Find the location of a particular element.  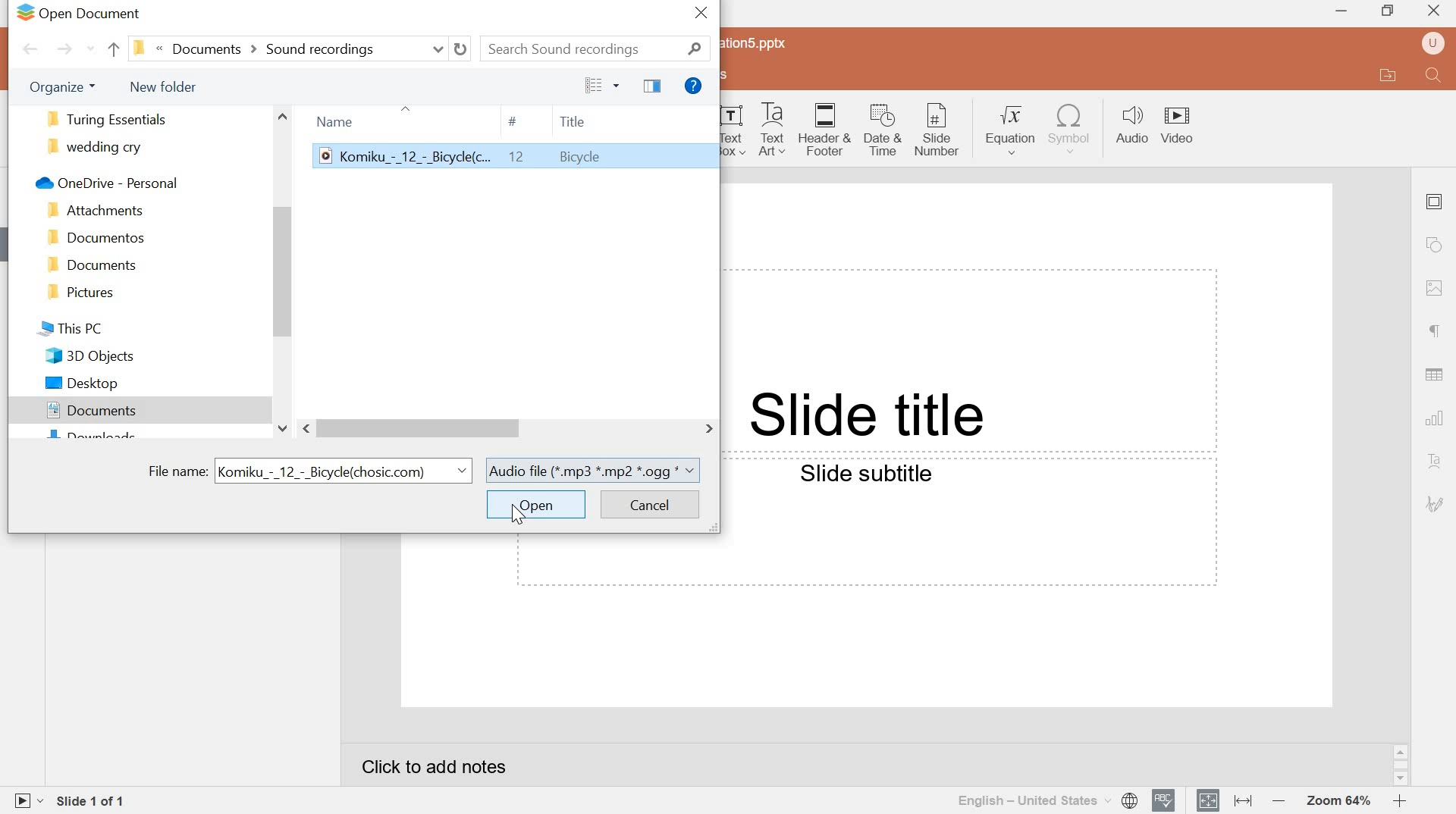

zoom in is located at coordinates (1399, 800).